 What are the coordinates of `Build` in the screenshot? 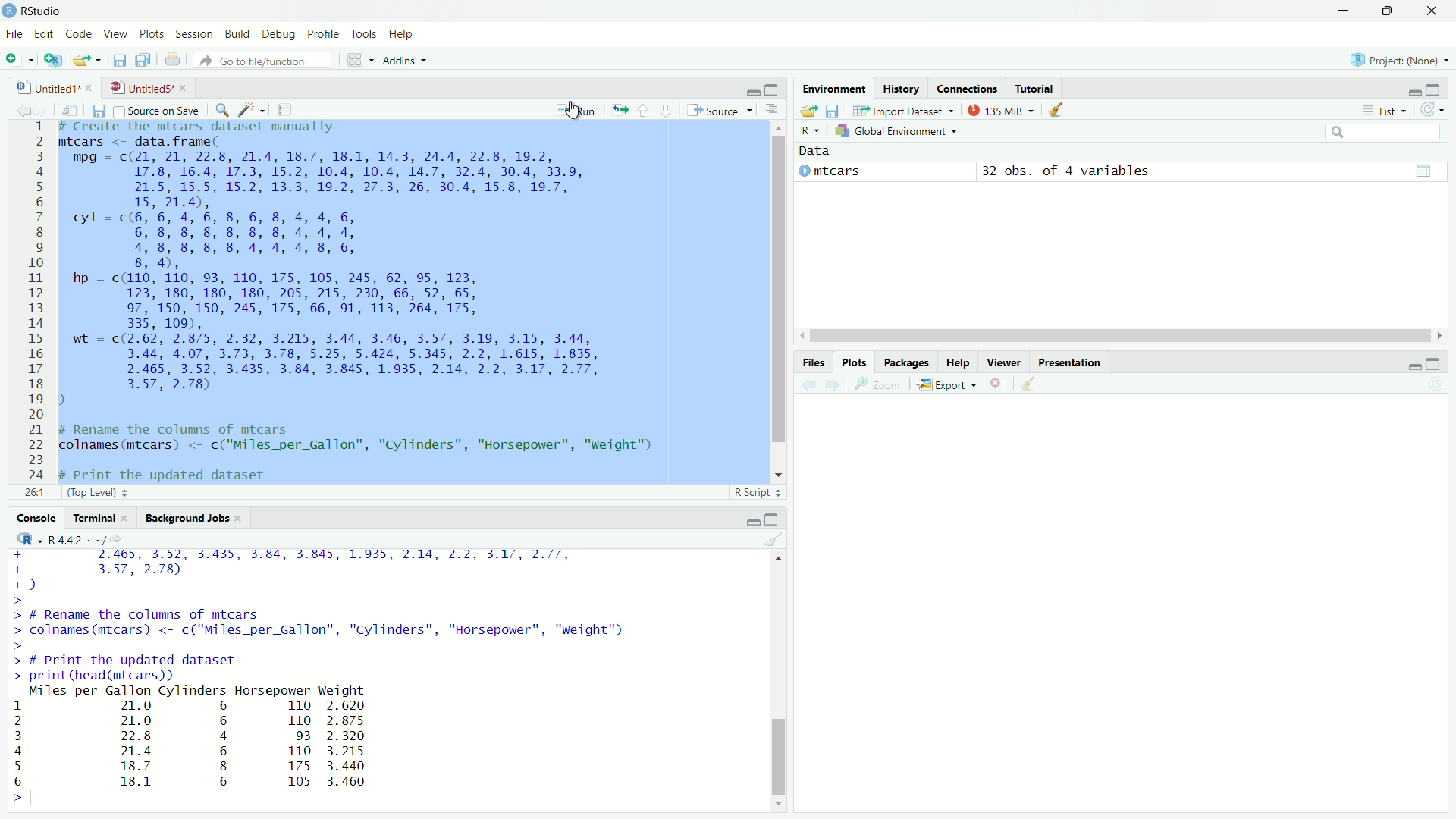 It's located at (237, 33).